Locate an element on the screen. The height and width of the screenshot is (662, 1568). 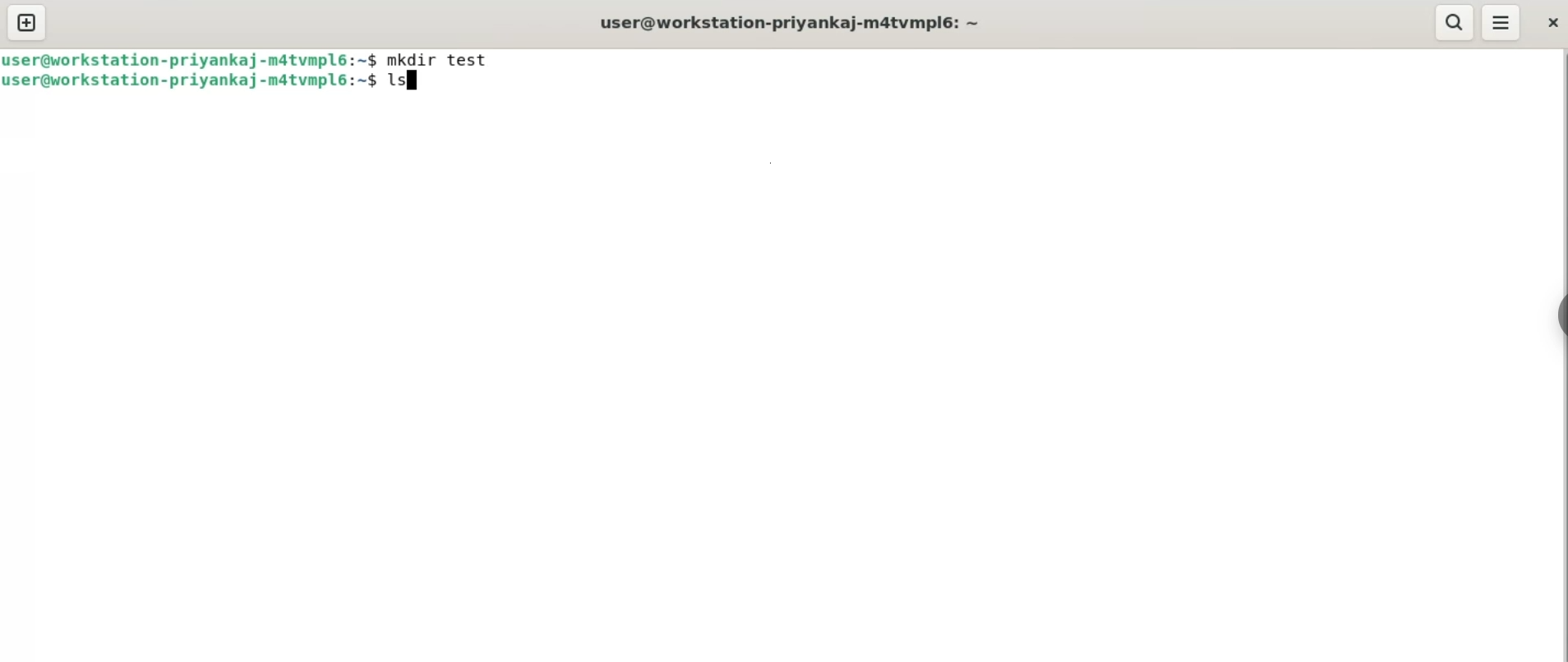
menu is located at coordinates (1502, 22).